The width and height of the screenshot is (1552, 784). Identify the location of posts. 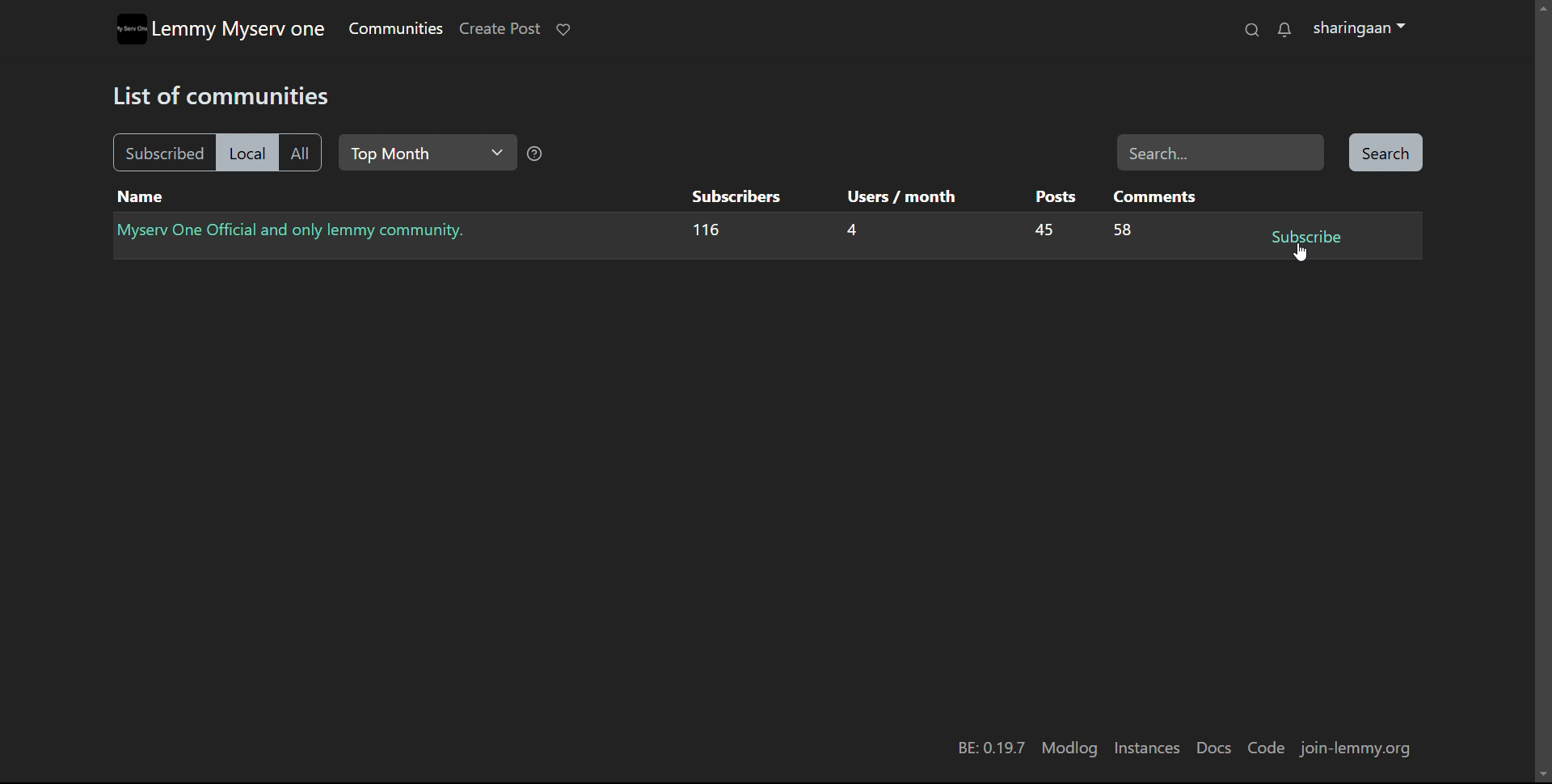
(1055, 196).